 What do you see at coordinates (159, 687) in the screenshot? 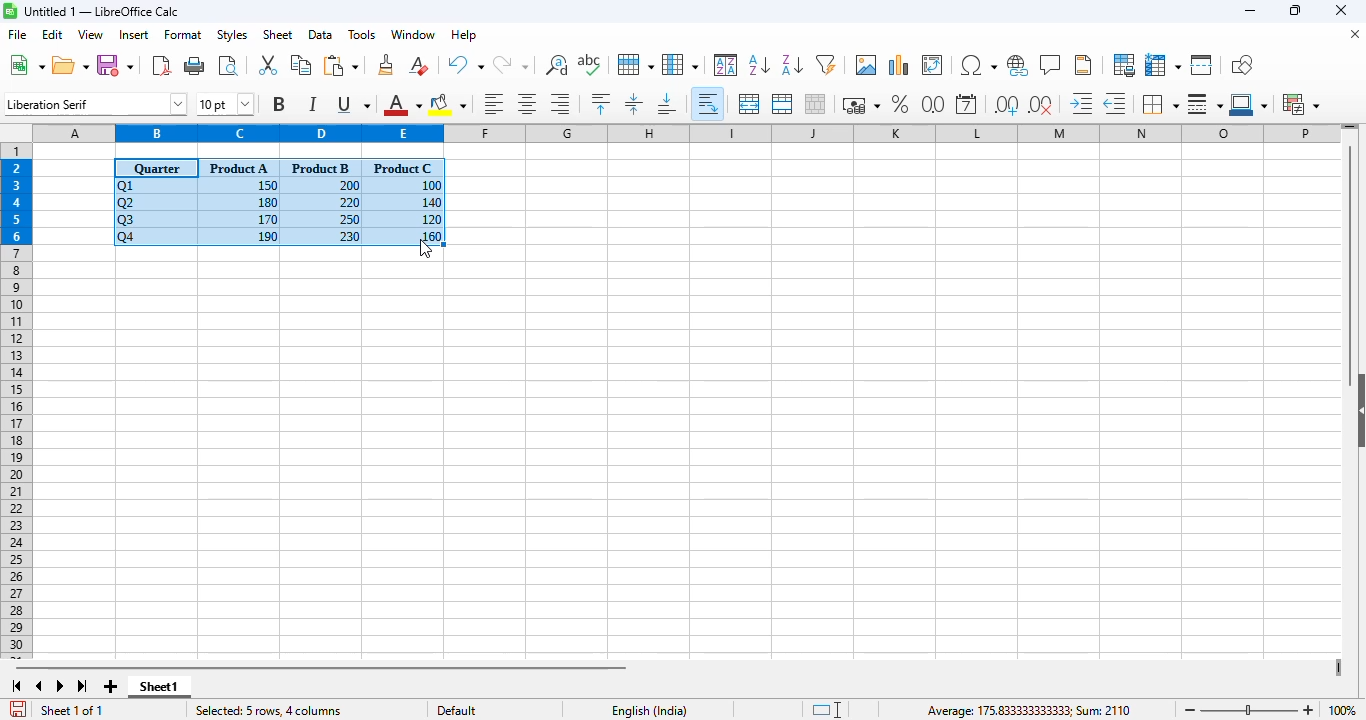
I see `sheet1` at bounding box center [159, 687].